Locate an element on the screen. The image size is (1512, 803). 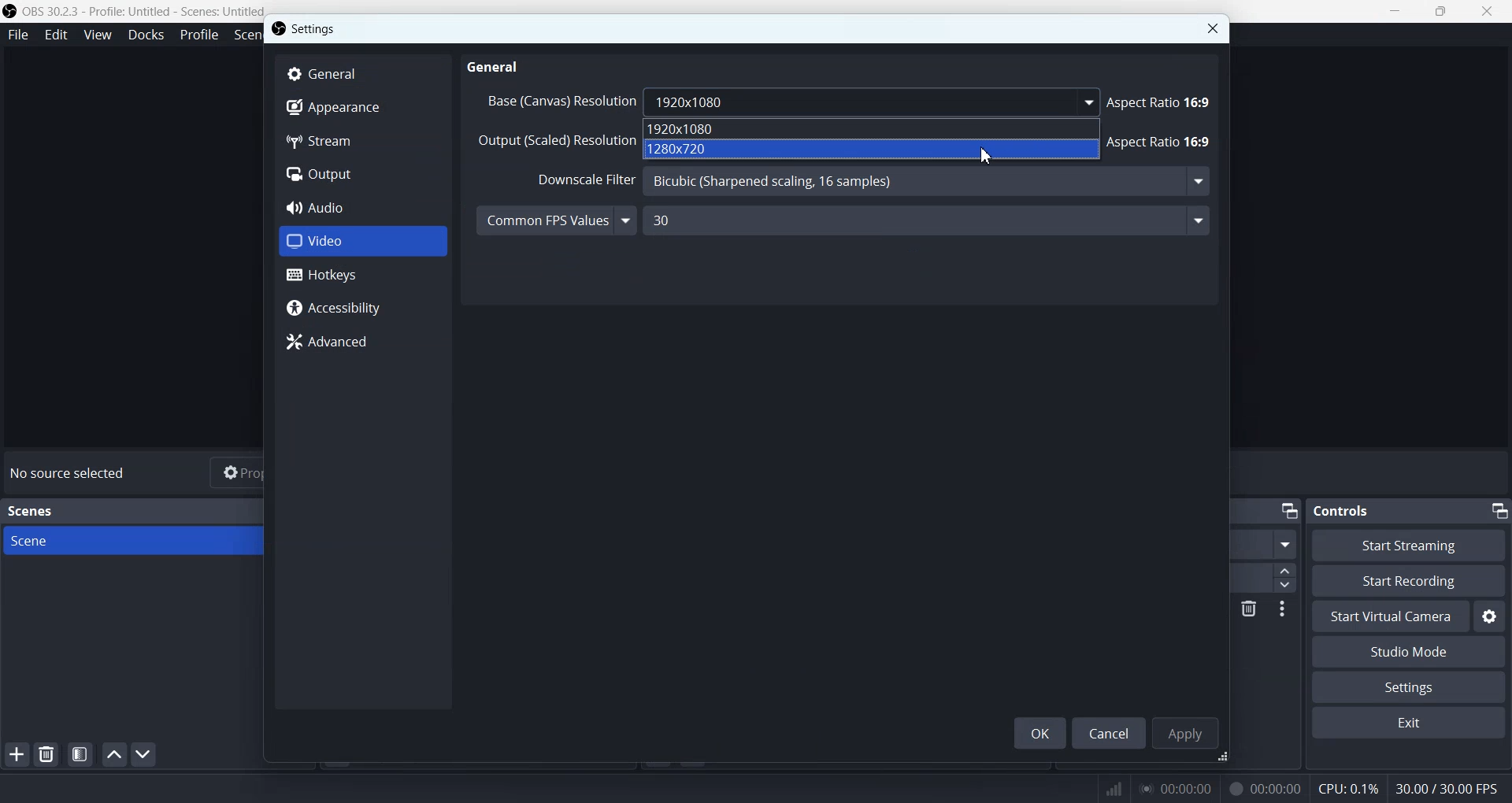
Profile is located at coordinates (197, 36).